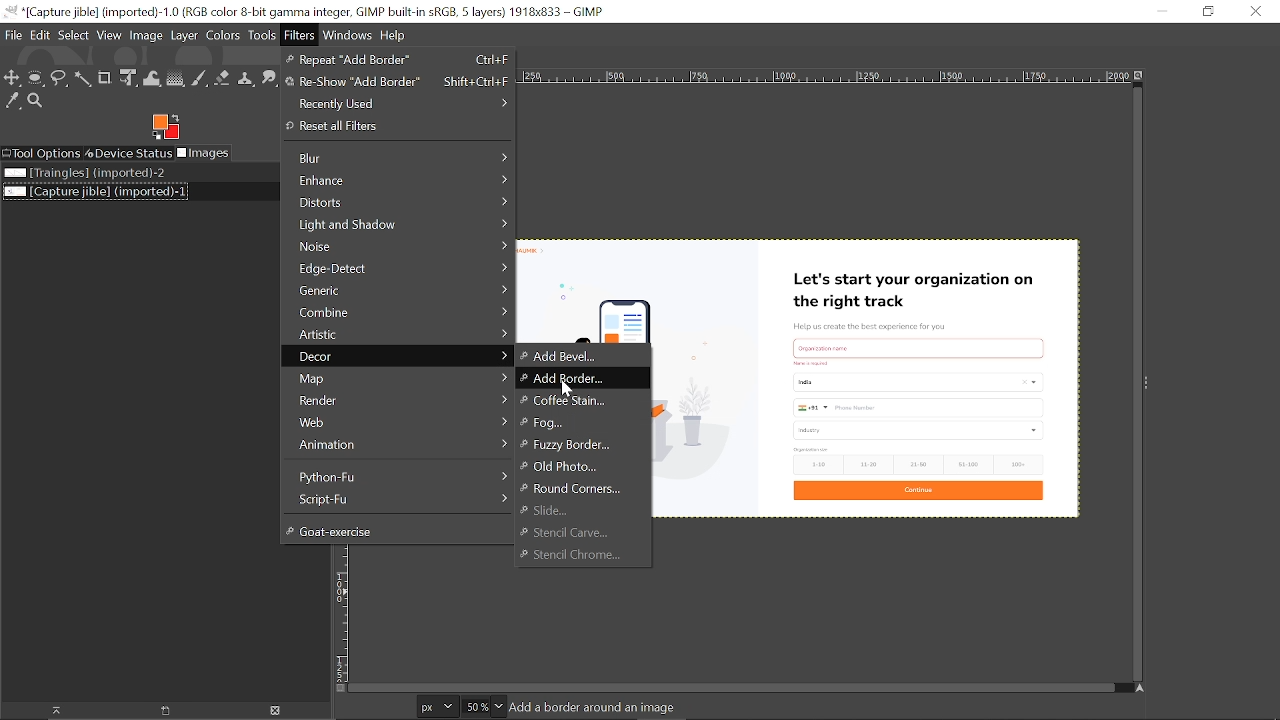 The height and width of the screenshot is (720, 1280). What do you see at coordinates (399, 102) in the screenshot?
I see `Recently used` at bounding box center [399, 102].